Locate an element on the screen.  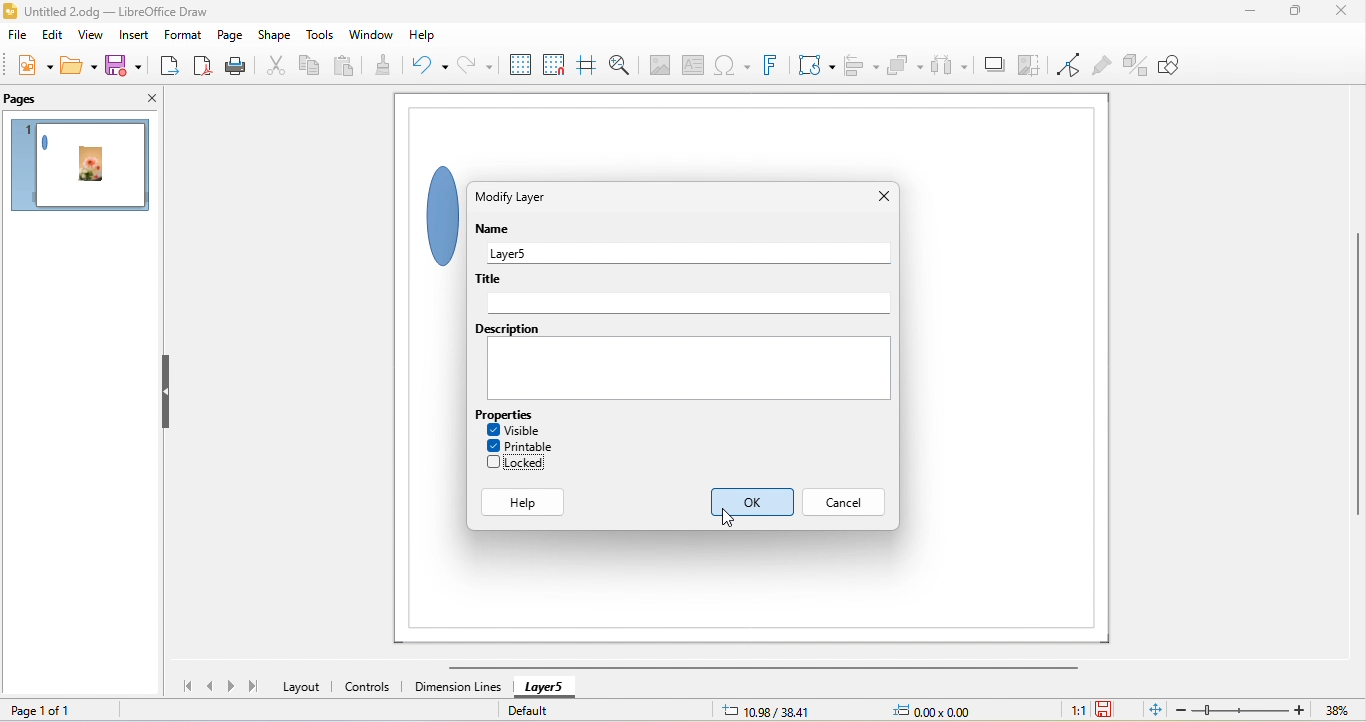
show gluepoint is located at coordinates (1103, 66).